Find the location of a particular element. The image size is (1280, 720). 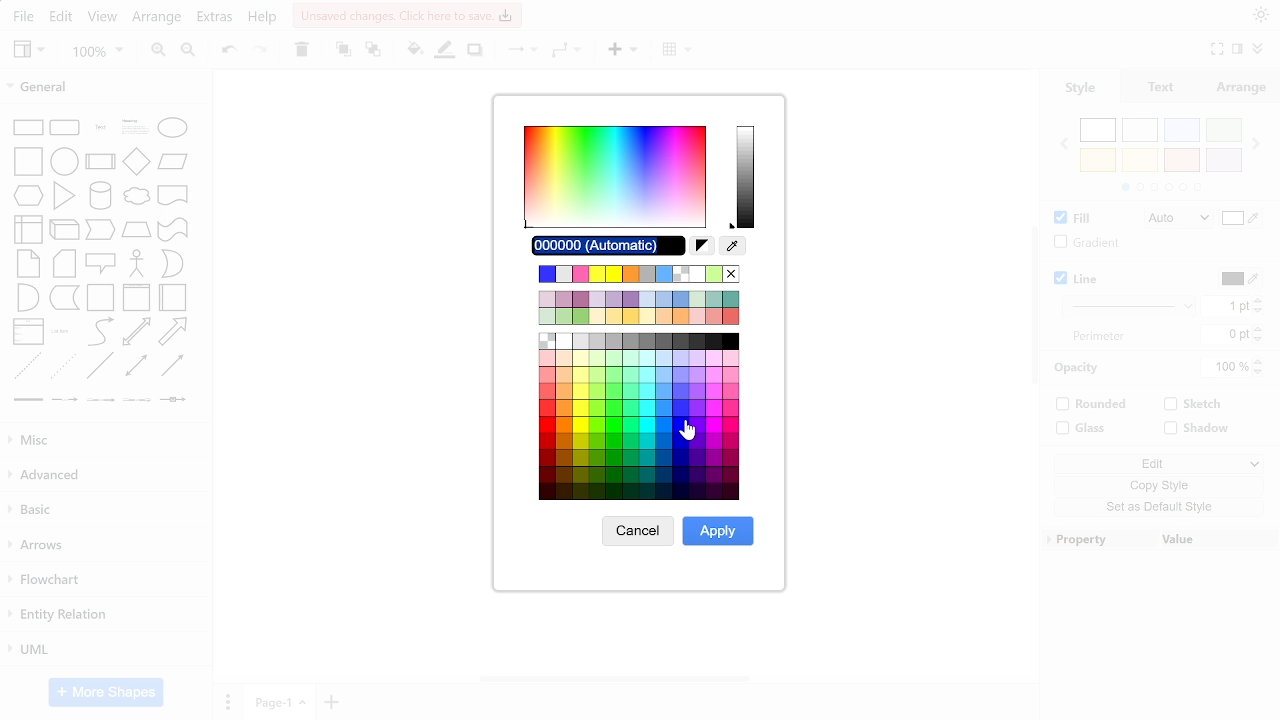

file is located at coordinates (23, 18).